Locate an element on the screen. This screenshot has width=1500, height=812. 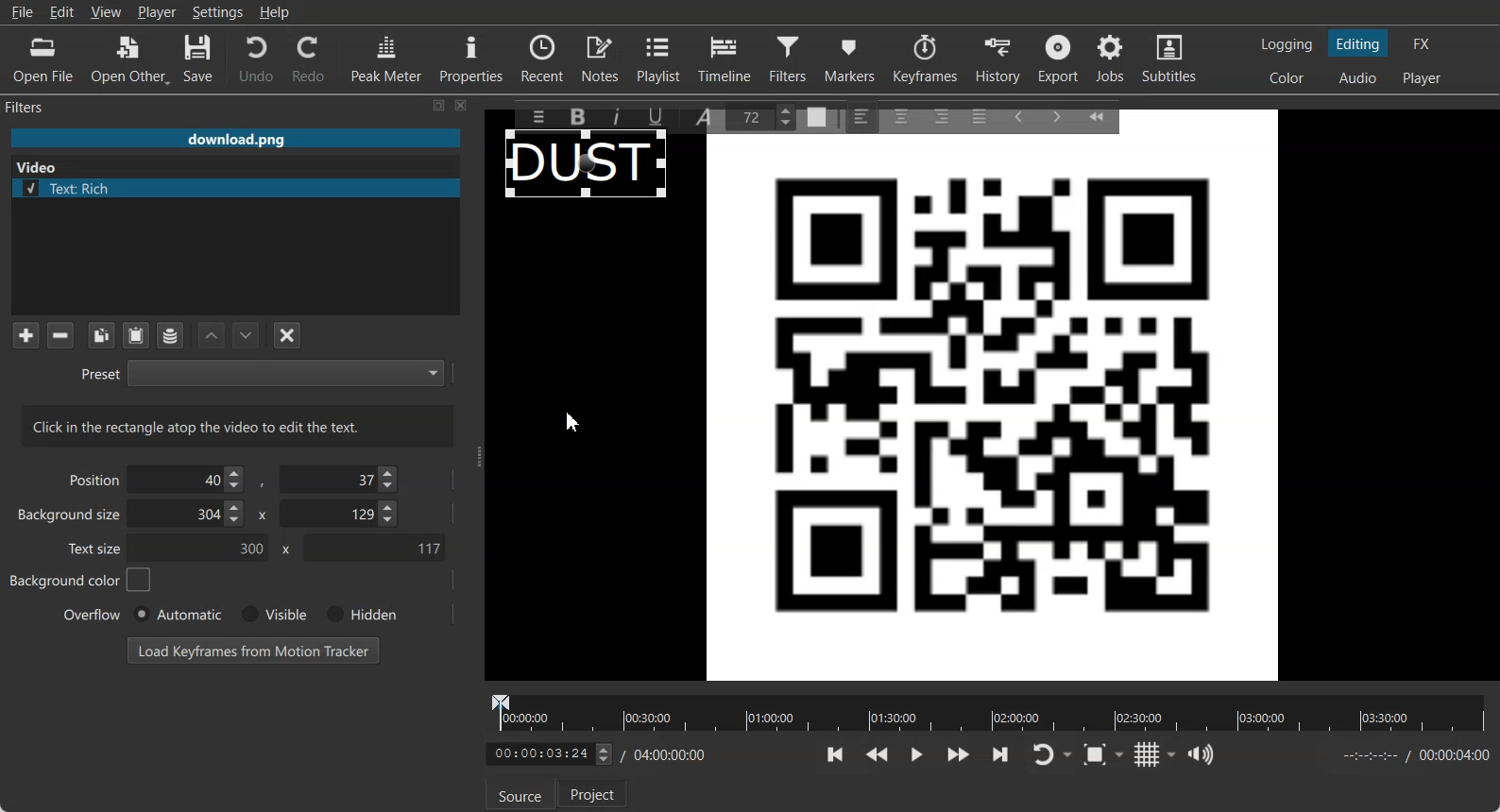
Help is located at coordinates (275, 12).